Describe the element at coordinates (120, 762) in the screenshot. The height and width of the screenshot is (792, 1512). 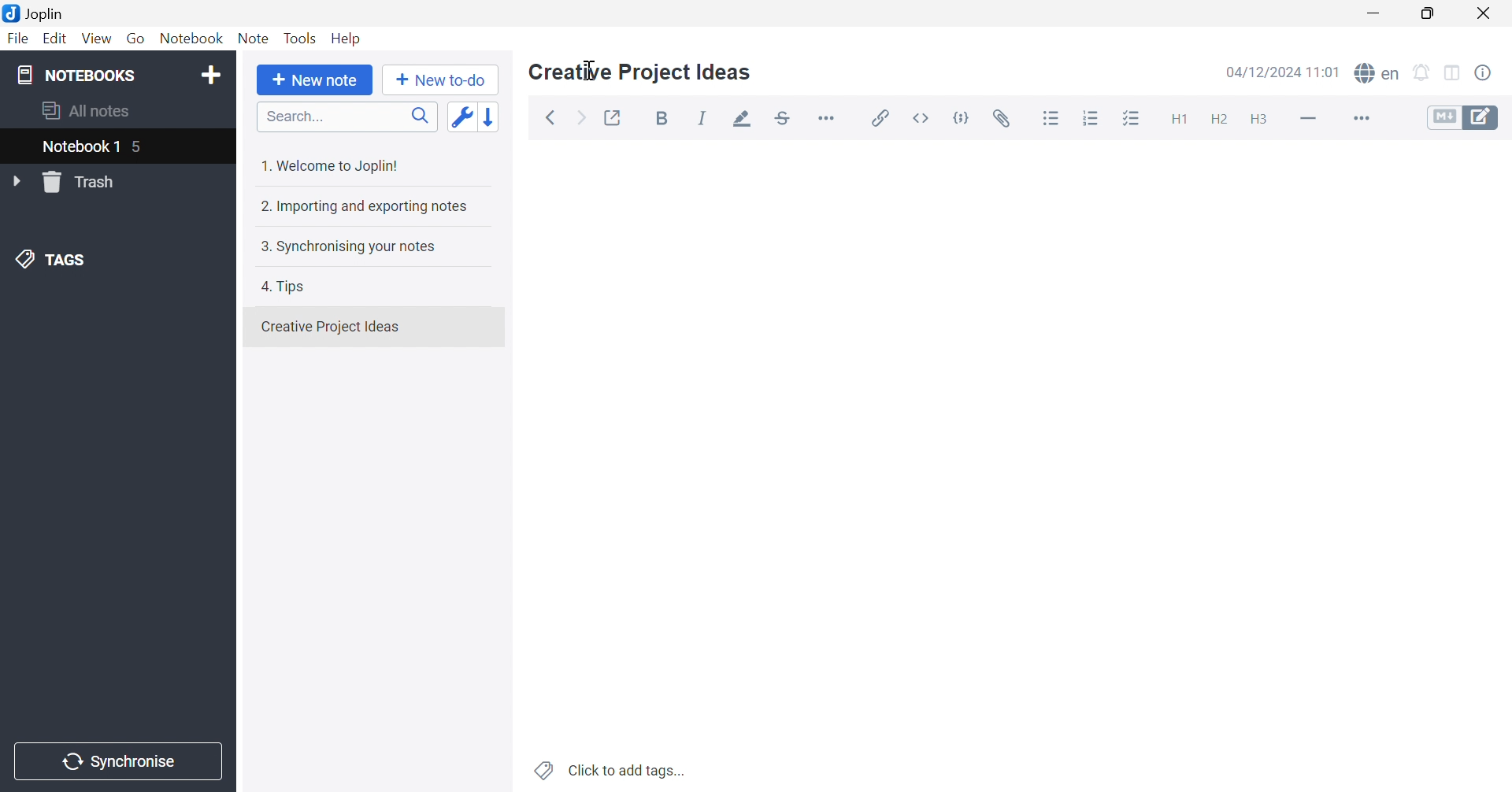
I see `Synchronise` at that location.